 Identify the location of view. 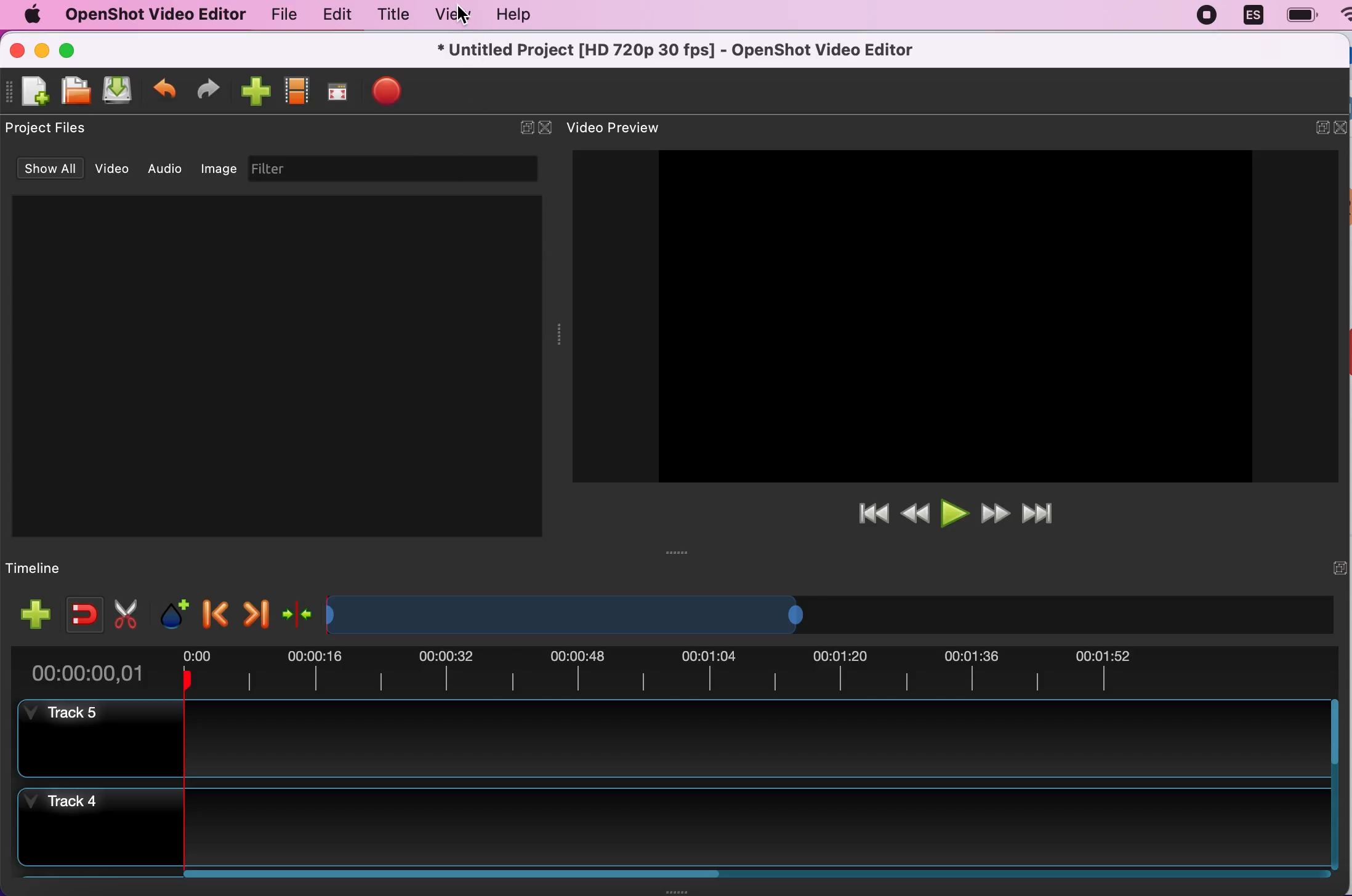
(446, 15).